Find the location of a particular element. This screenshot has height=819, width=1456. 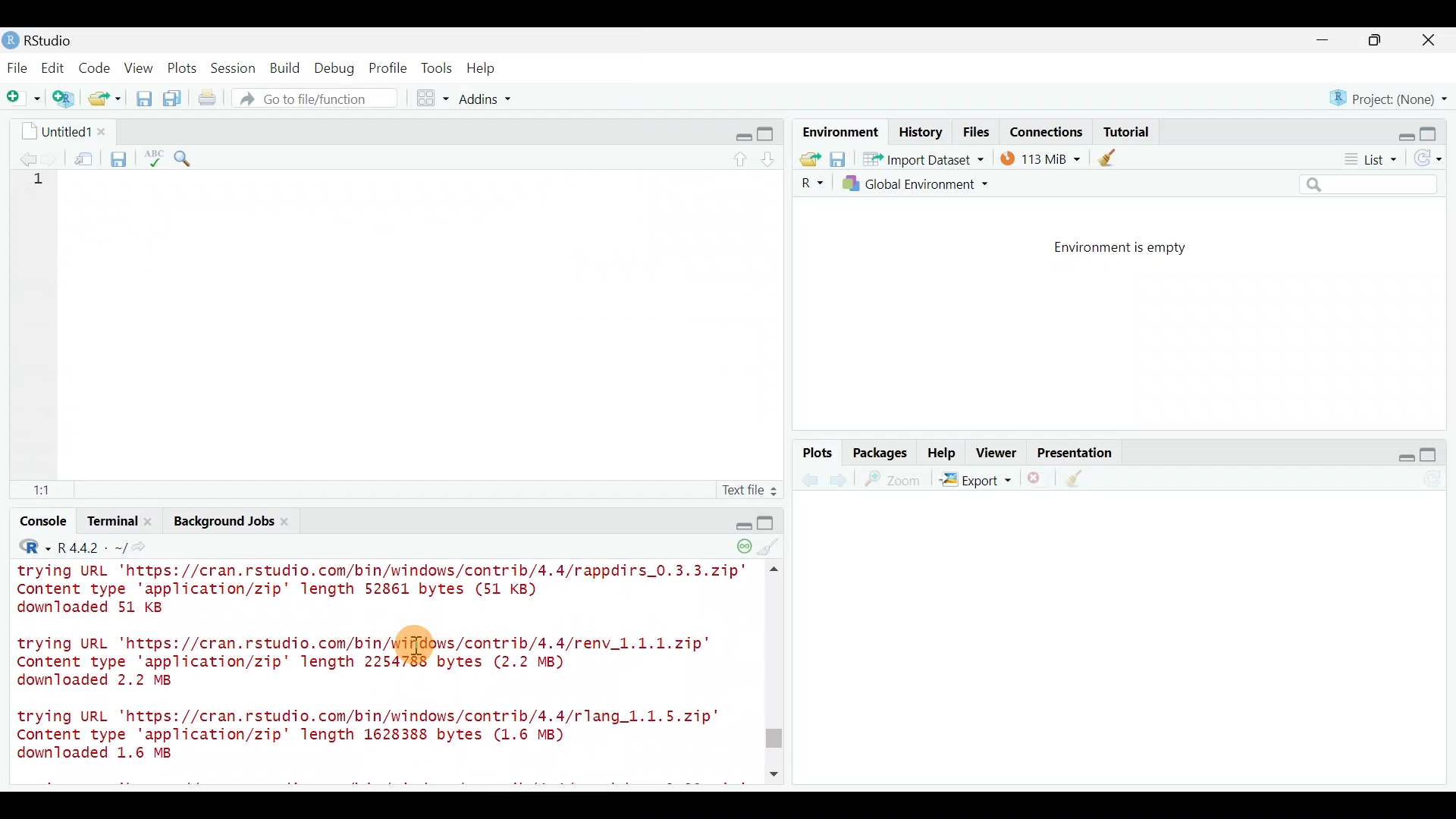

cursor is located at coordinates (413, 649).